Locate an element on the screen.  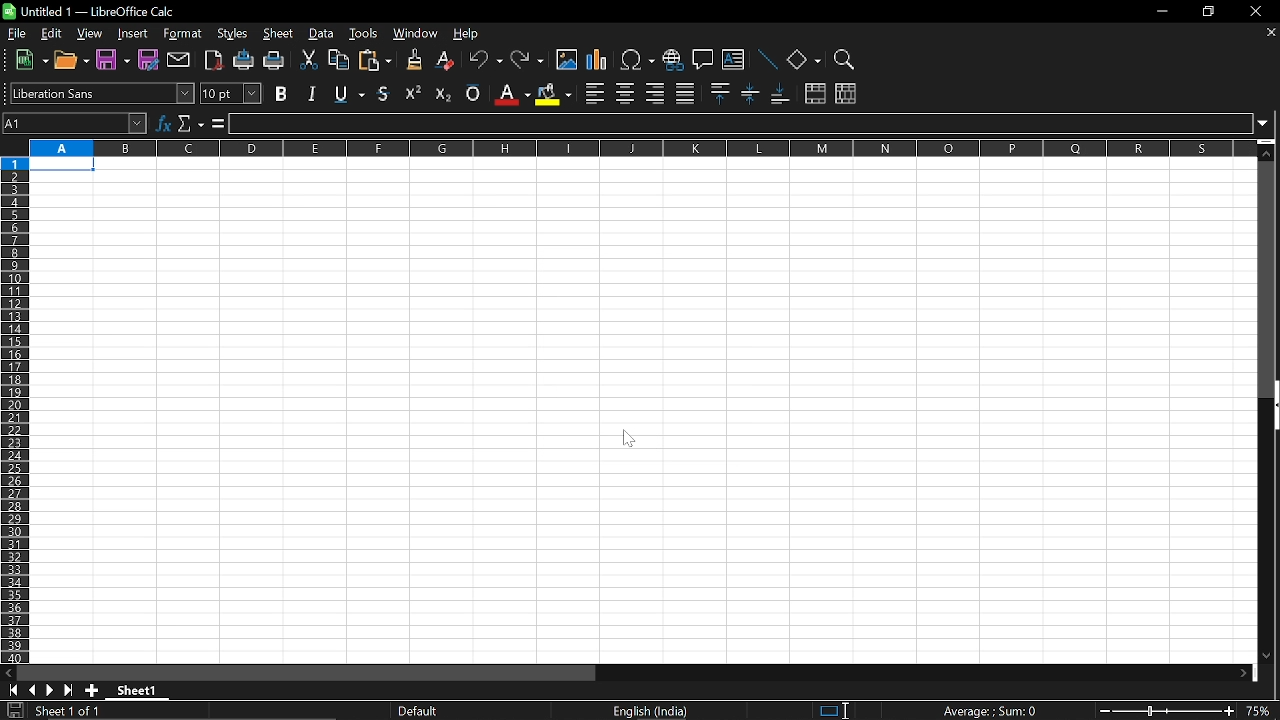
align right is located at coordinates (655, 93).